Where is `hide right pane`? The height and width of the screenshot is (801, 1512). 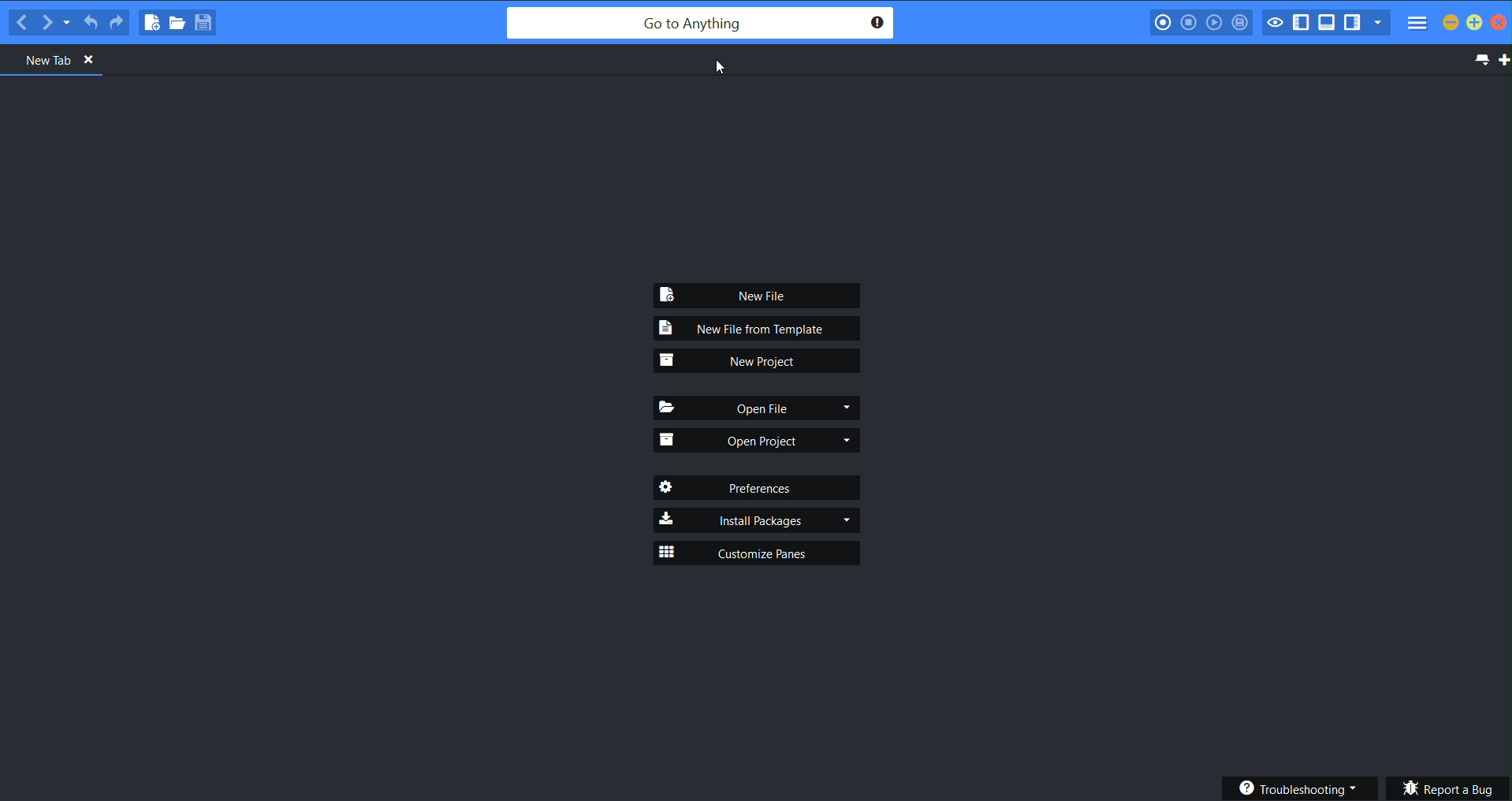
hide right pane is located at coordinates (1356, 24).